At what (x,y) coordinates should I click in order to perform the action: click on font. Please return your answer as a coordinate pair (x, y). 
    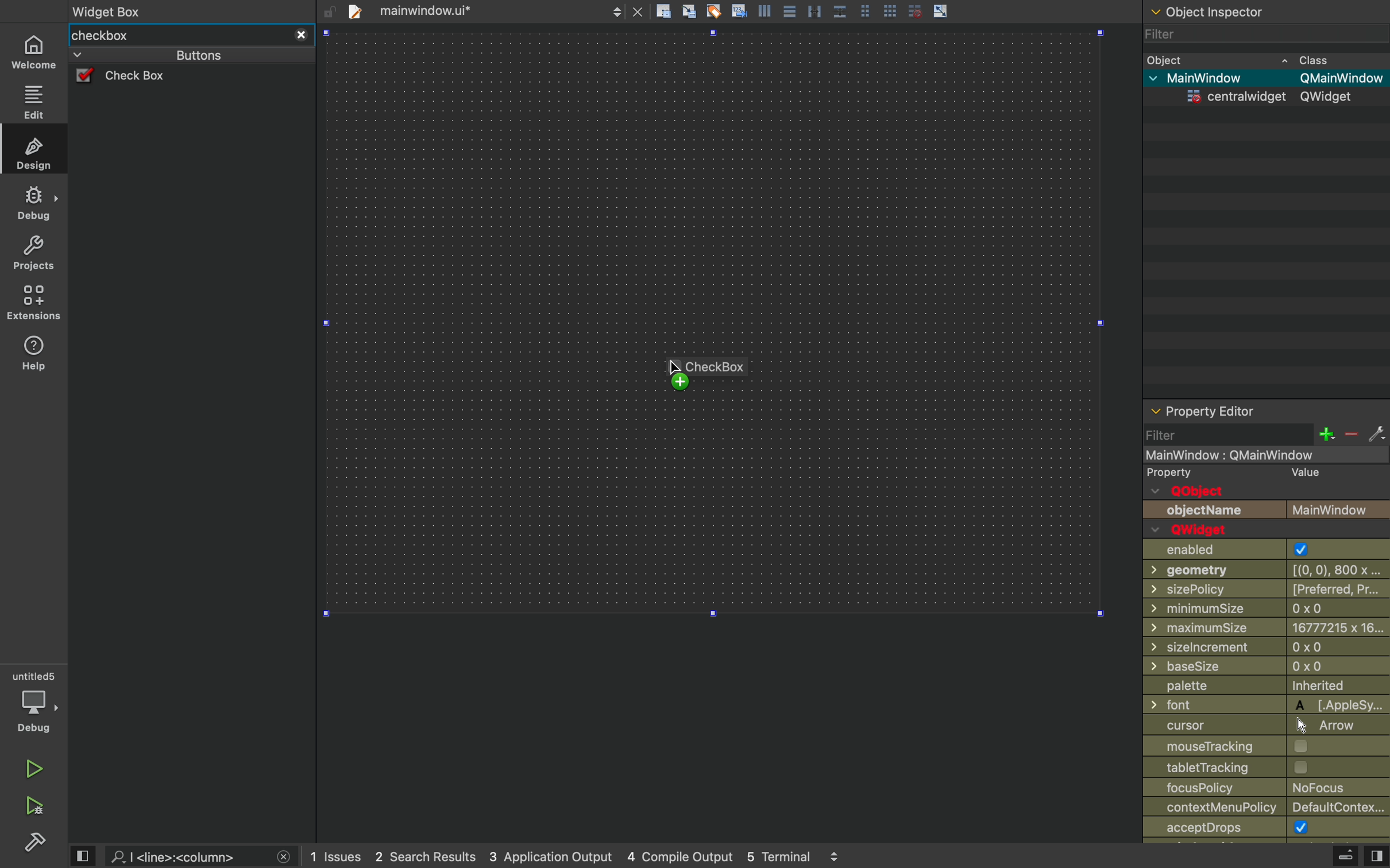
    Looking at the image, I should click on (1267, 704).